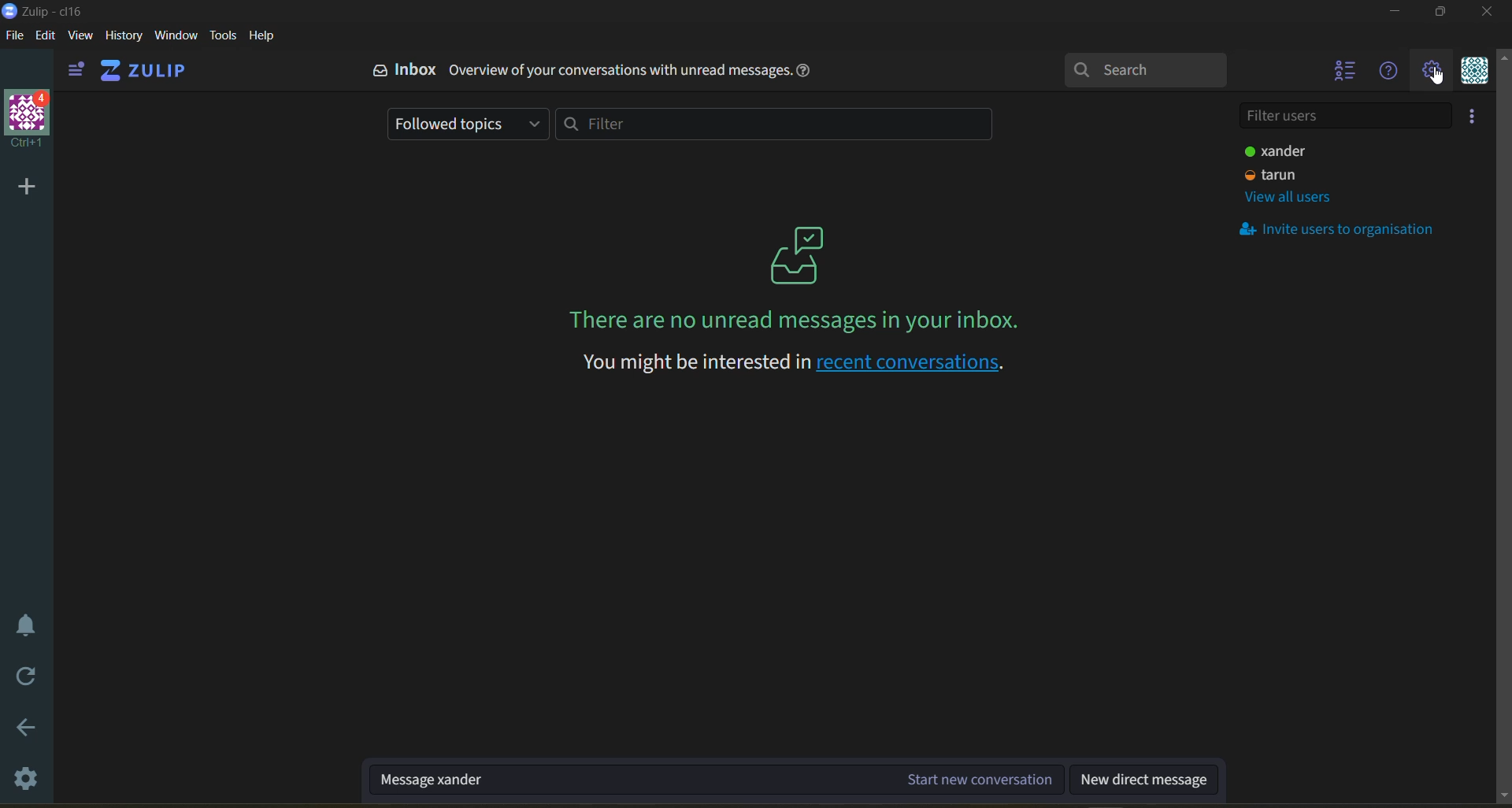 The width and height of the screenshot is (1512, 808). I want to click on help, so click(265, 36).